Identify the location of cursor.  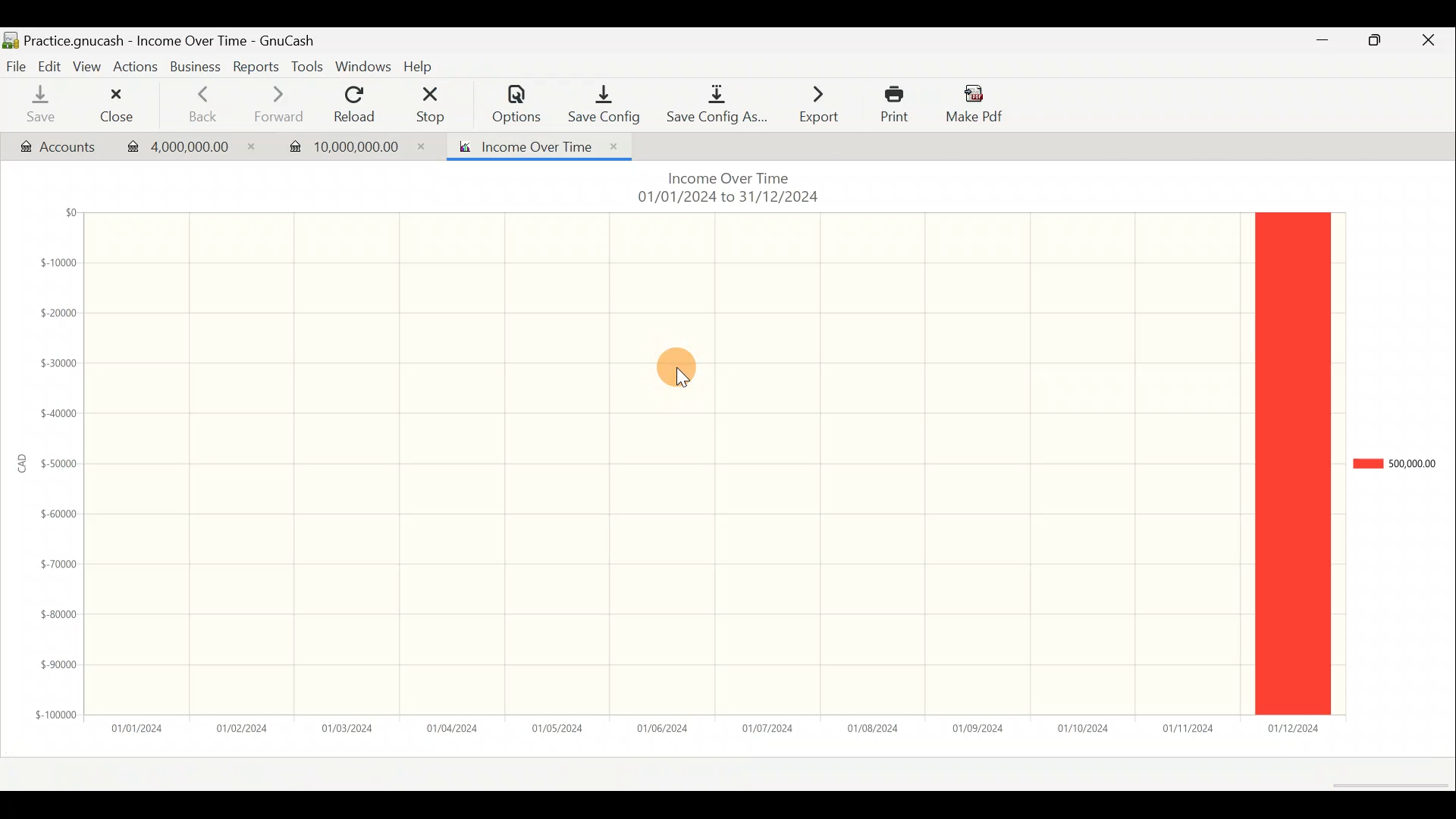
(684, 378).